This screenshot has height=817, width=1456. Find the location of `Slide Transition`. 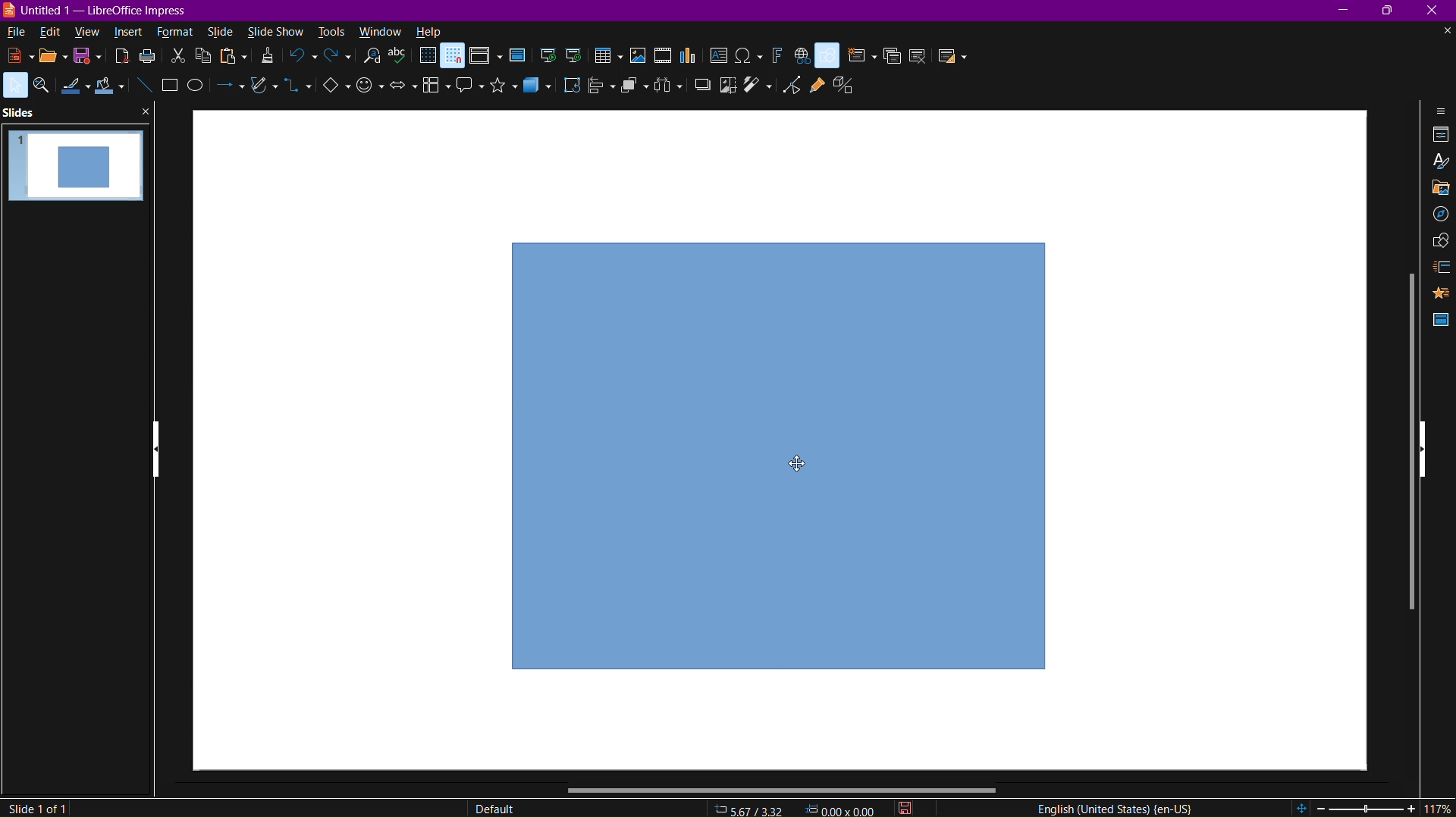

Slide Transition is located at coordinates (1439, 267).